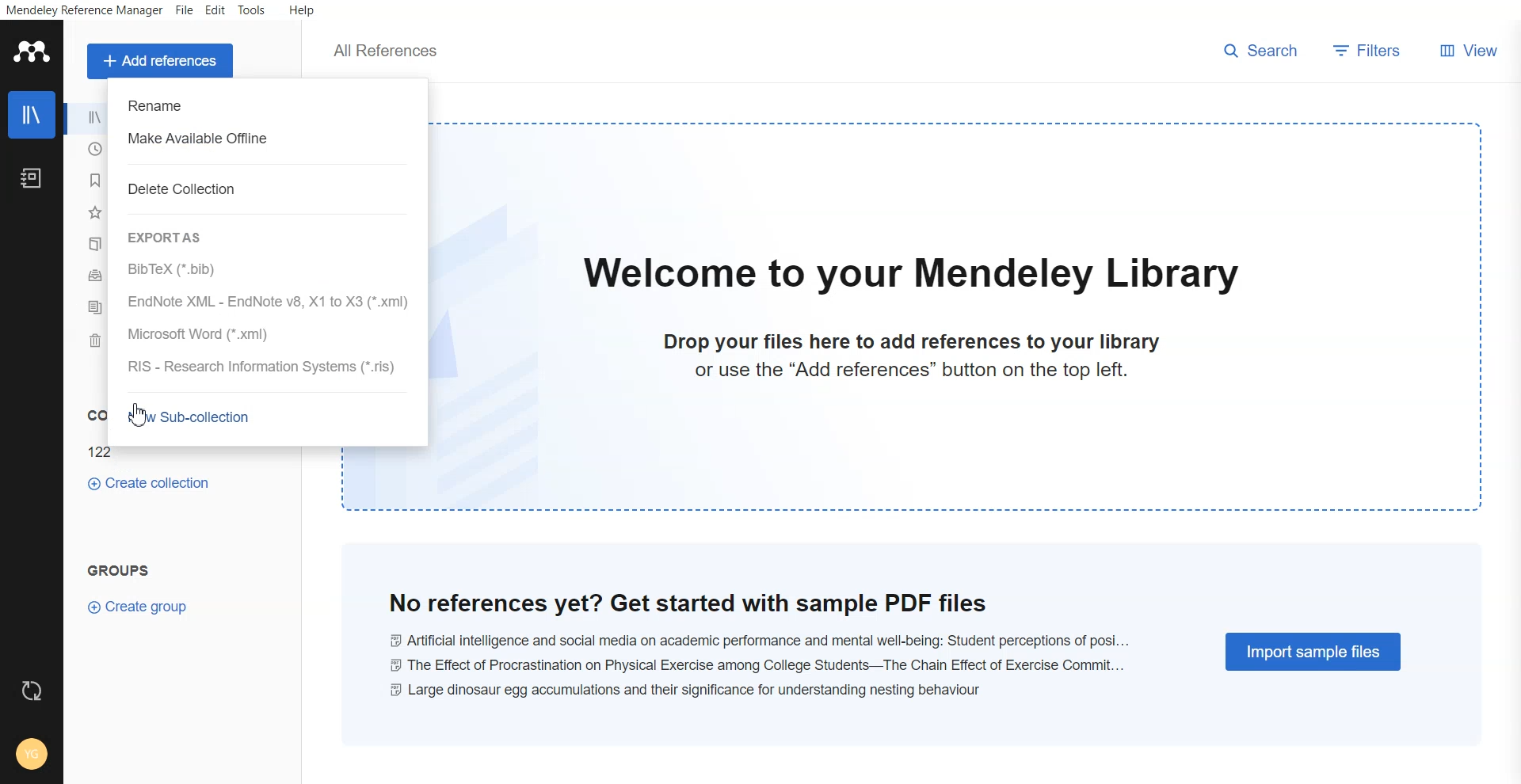  Describe the element at coordinates (1315, 650) in the screenshot. I see `Import simple files` at that location.